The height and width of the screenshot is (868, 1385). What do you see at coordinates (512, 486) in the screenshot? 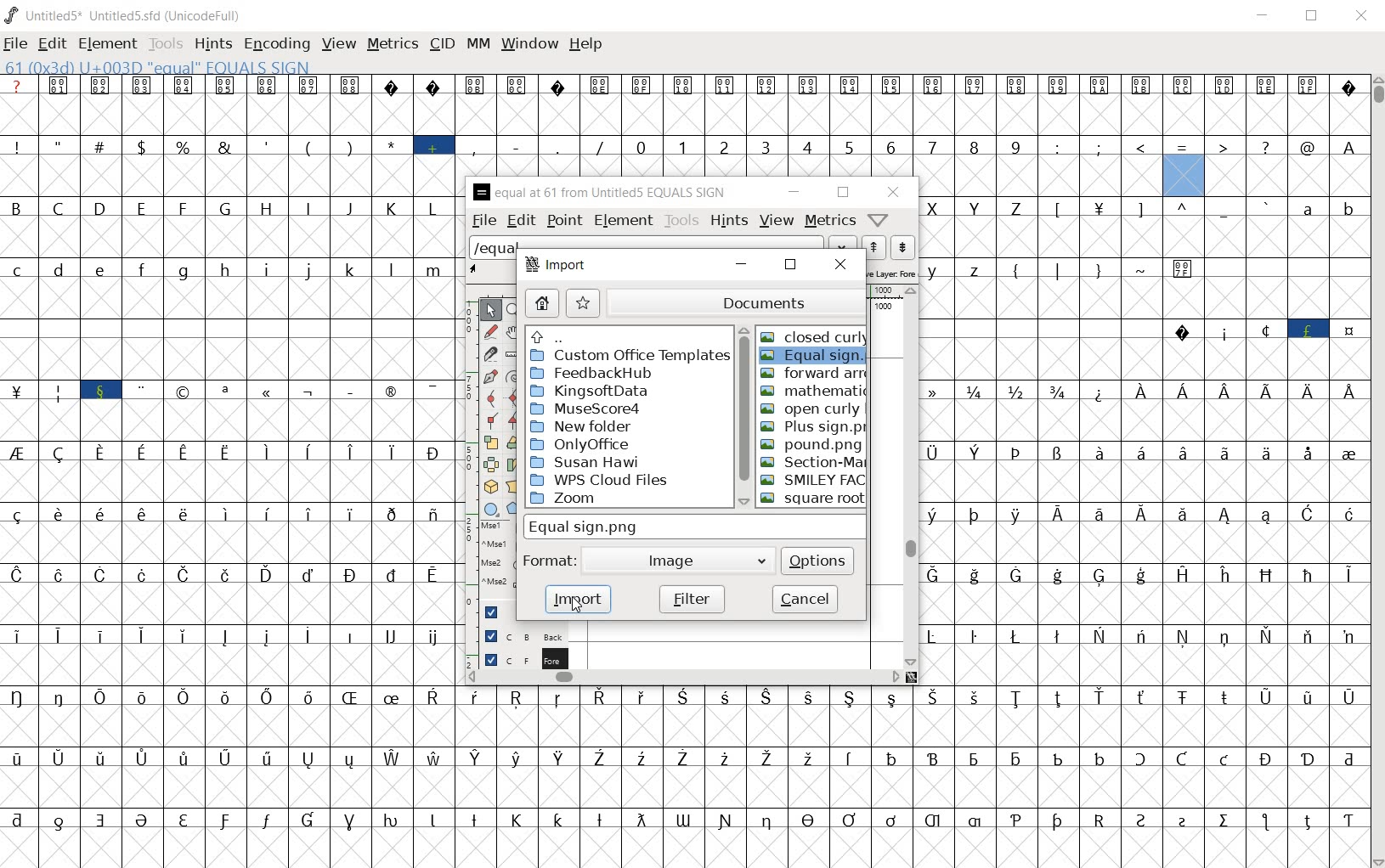
I see `perform a perspective transformation on the selection` at bounding box center [512, 486].